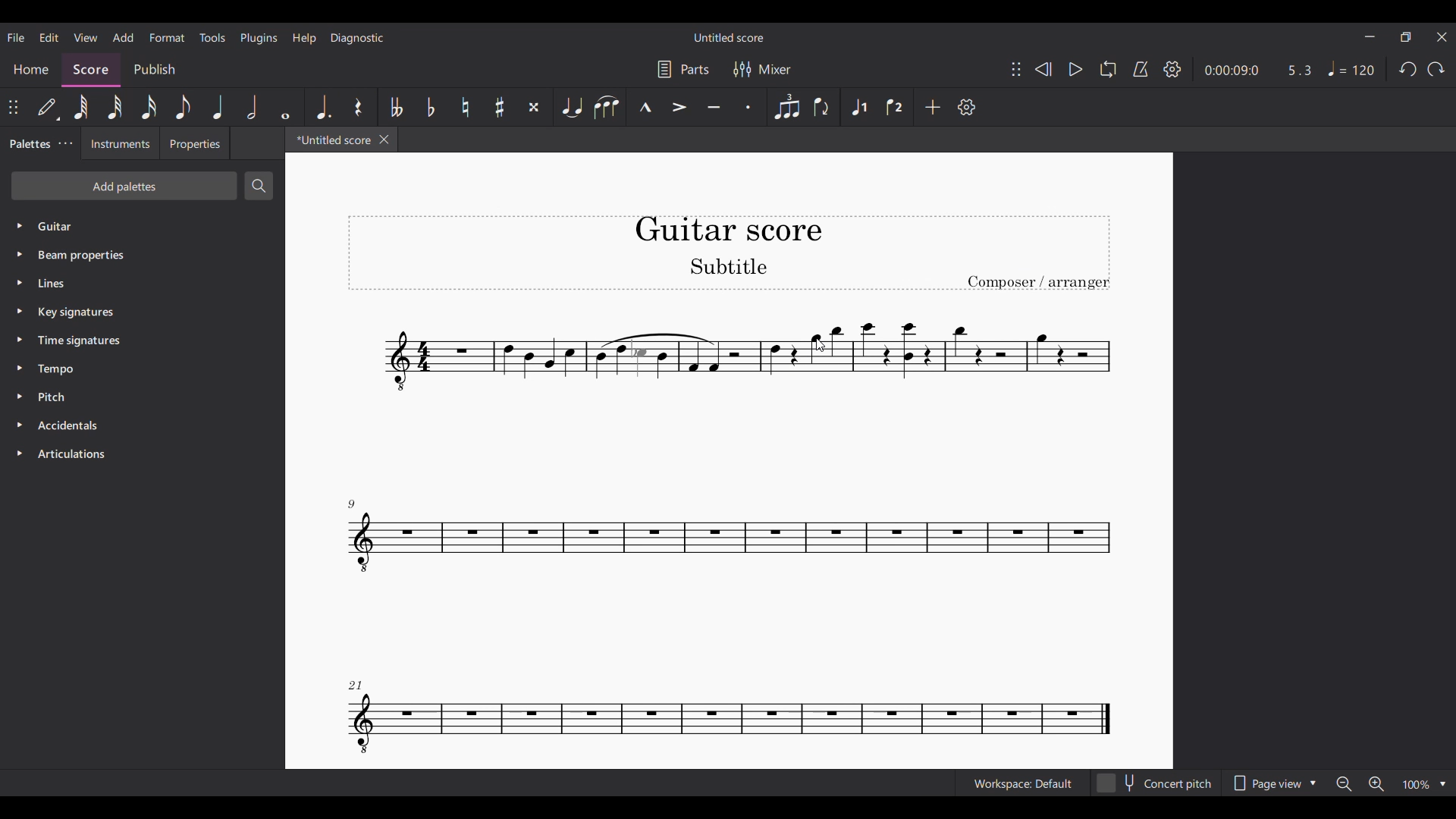  What do you see at coordinates (1172, 69) in the screenshot?
I see `Settings` at bounding box center [1172, 69].